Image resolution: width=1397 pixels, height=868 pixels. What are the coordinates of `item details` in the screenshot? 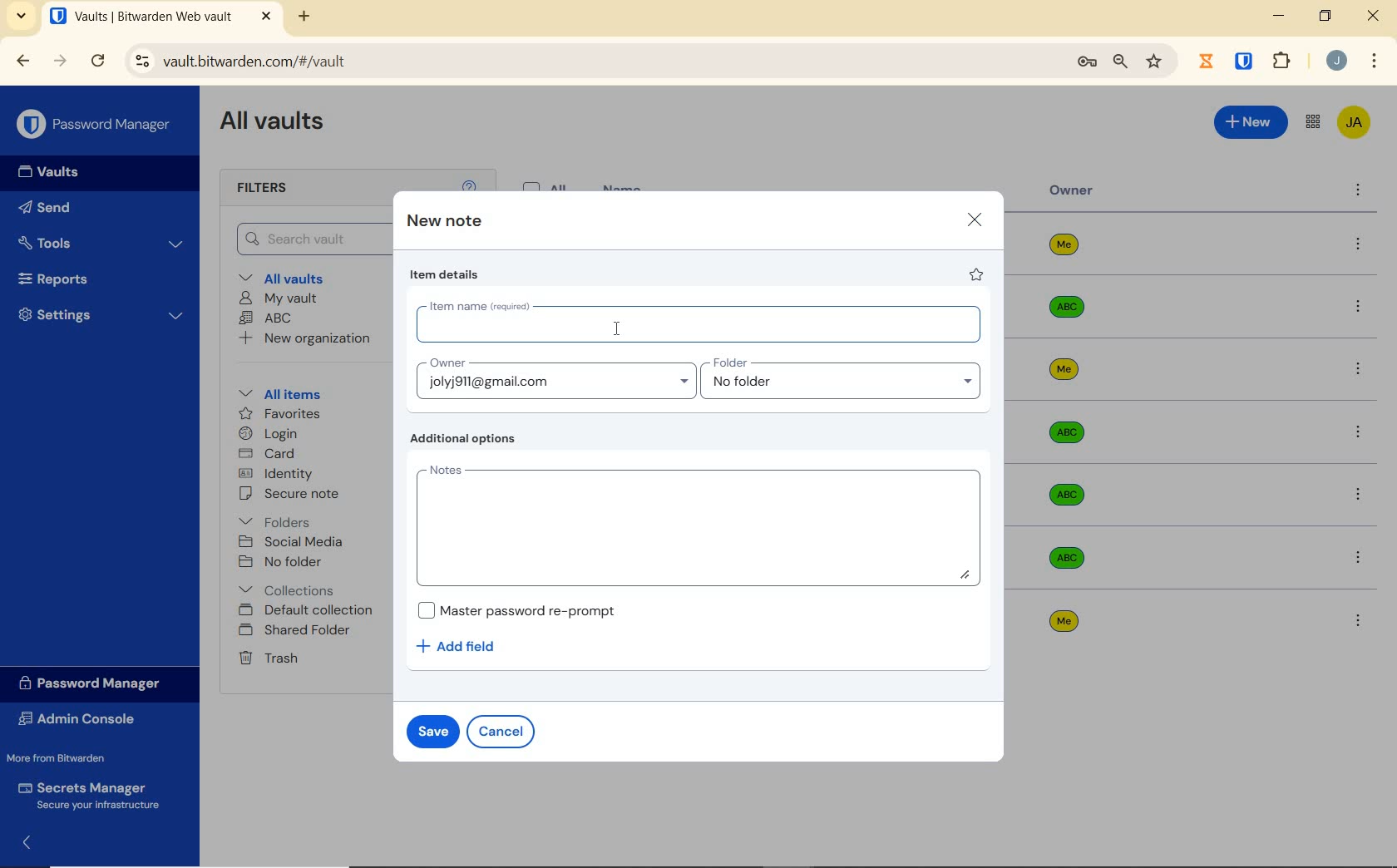 It's located at (445, 277).